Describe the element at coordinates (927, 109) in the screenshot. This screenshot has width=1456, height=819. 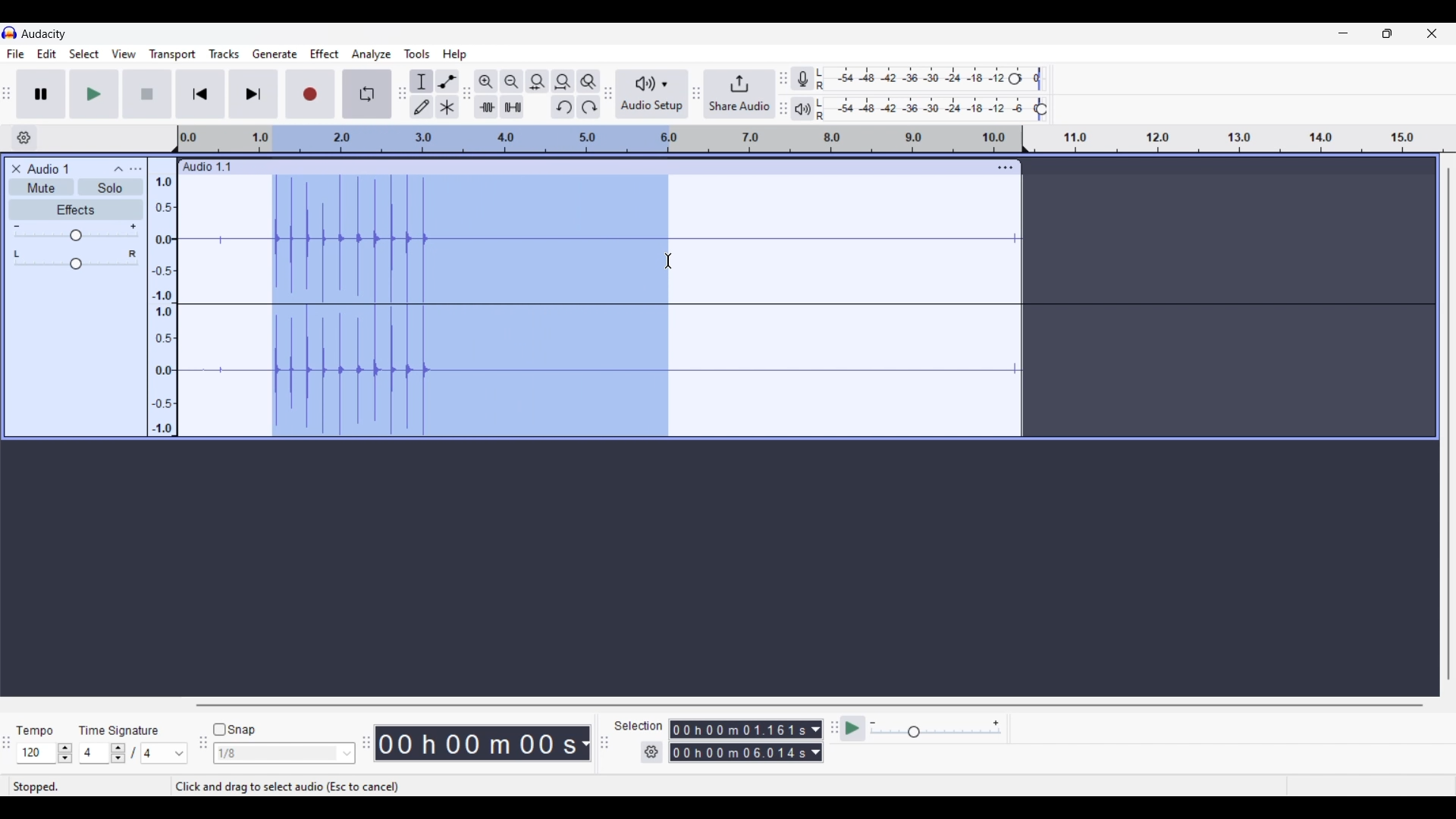
I see `Playback level` at that location.